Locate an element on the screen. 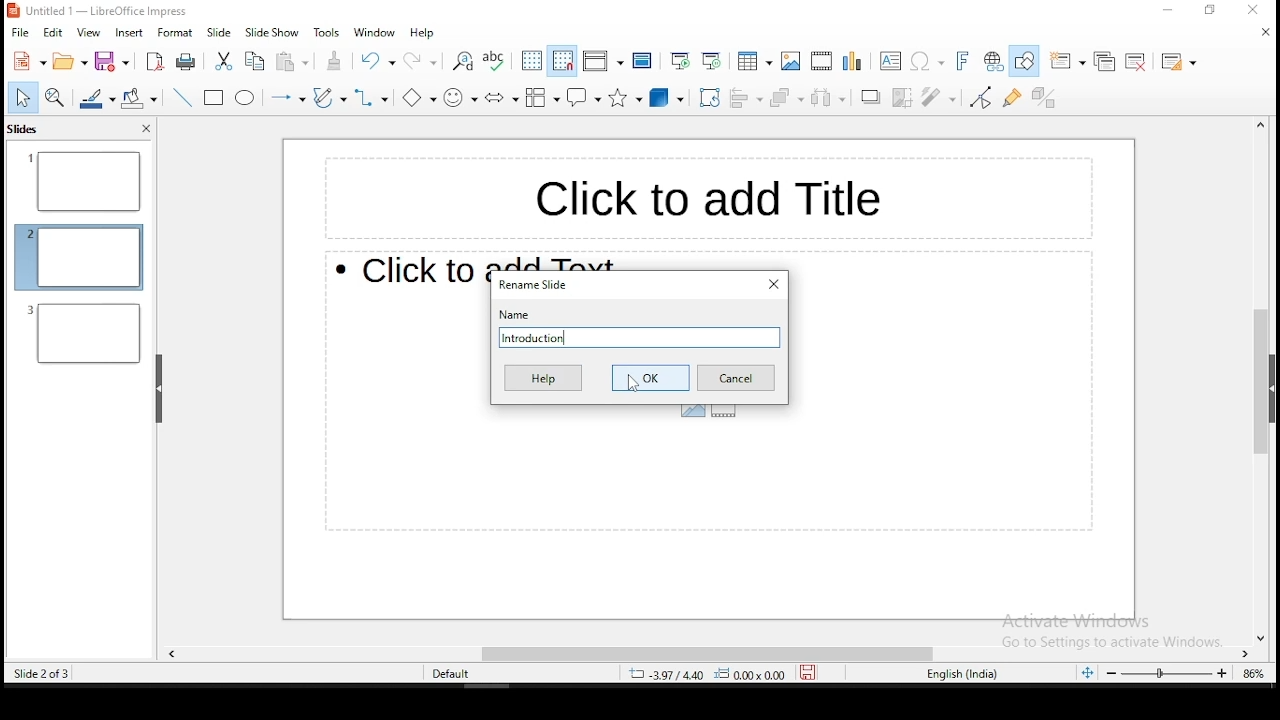 This screenshot has height=720, width=1280. save is located at coordinates (112, 60).